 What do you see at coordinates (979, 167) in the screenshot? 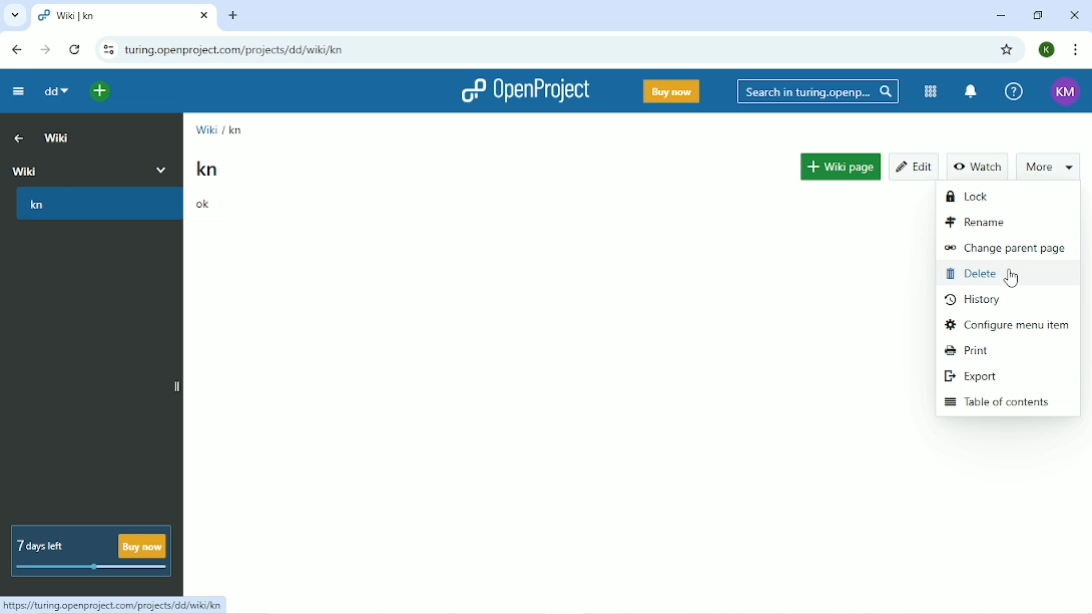
I see `Watch` at bounding box center [979, 167].